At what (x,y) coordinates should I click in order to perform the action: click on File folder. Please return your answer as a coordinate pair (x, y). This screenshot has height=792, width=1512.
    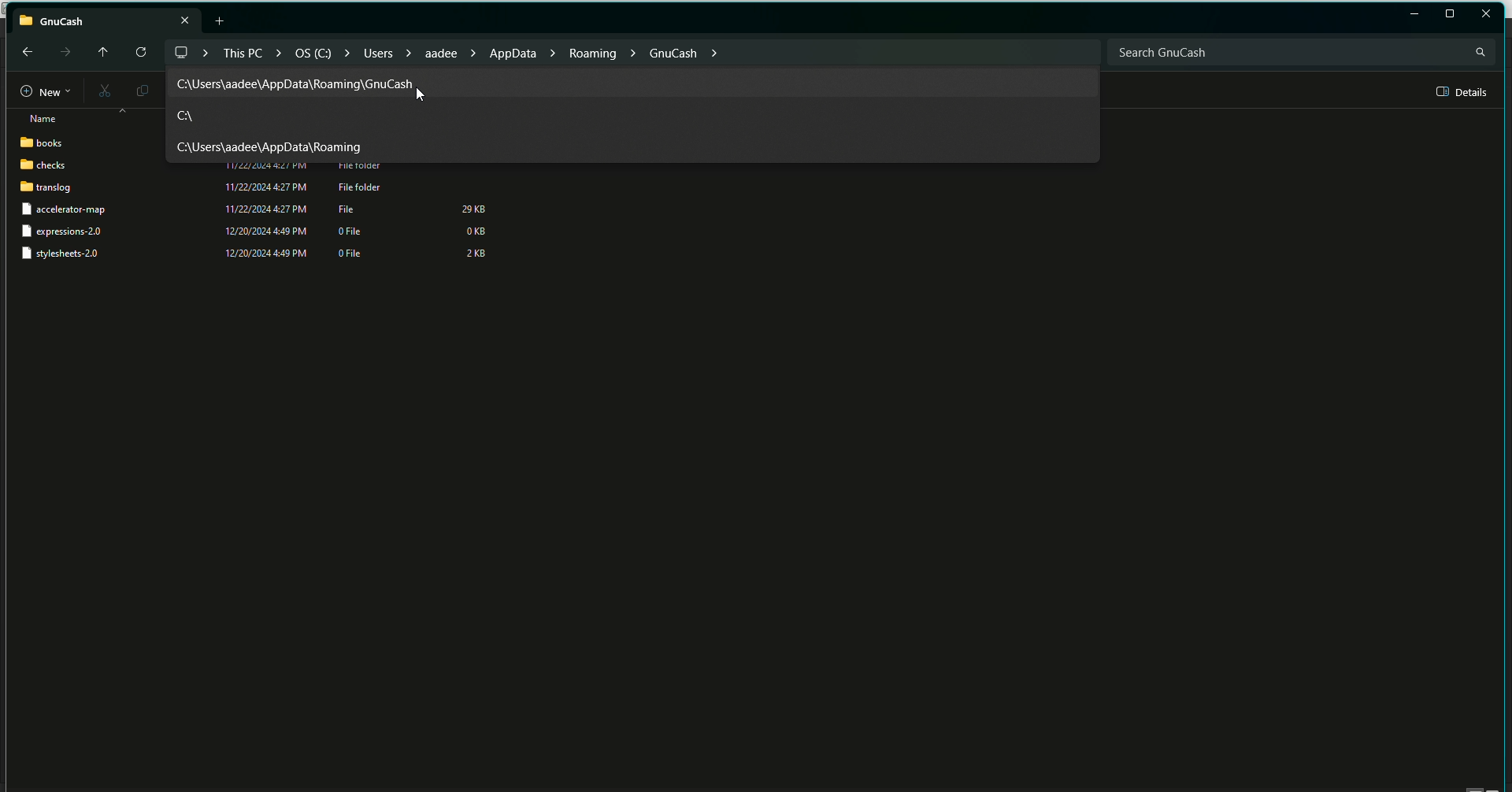
    Looking at the image, I should click on (360, 178).